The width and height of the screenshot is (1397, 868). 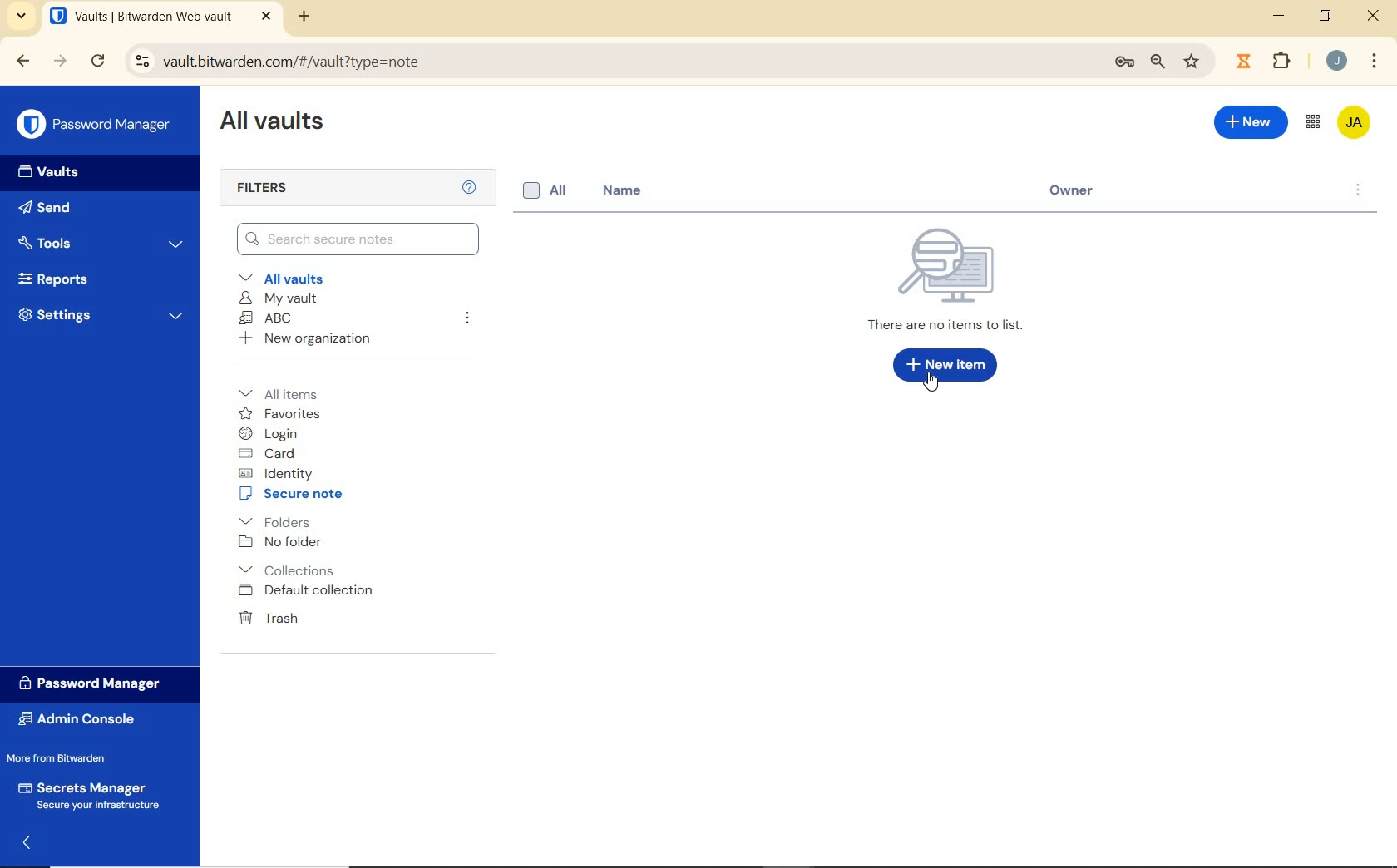 What do you see at coordinates (97, 684) in the screenshot?
I see `Password Manager` at bounding box center [97, 684].